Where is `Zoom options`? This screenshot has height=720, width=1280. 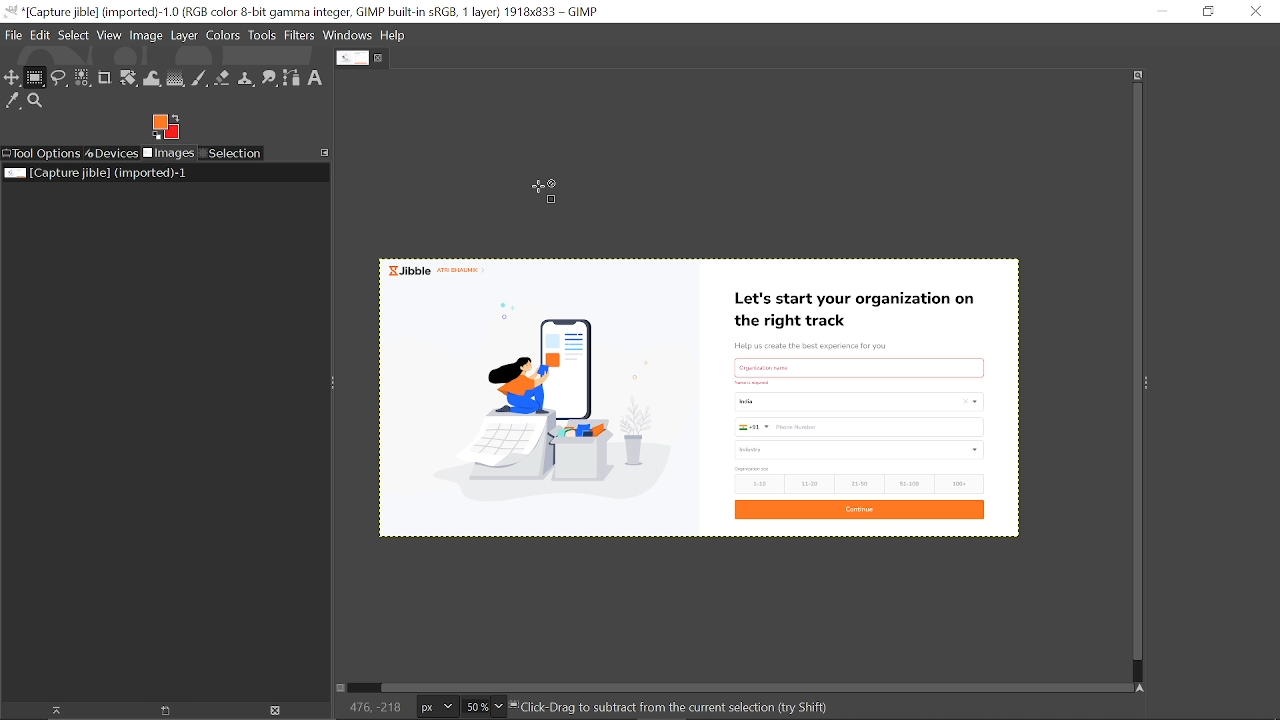 Zoom options is located at coordinates (501, 707).